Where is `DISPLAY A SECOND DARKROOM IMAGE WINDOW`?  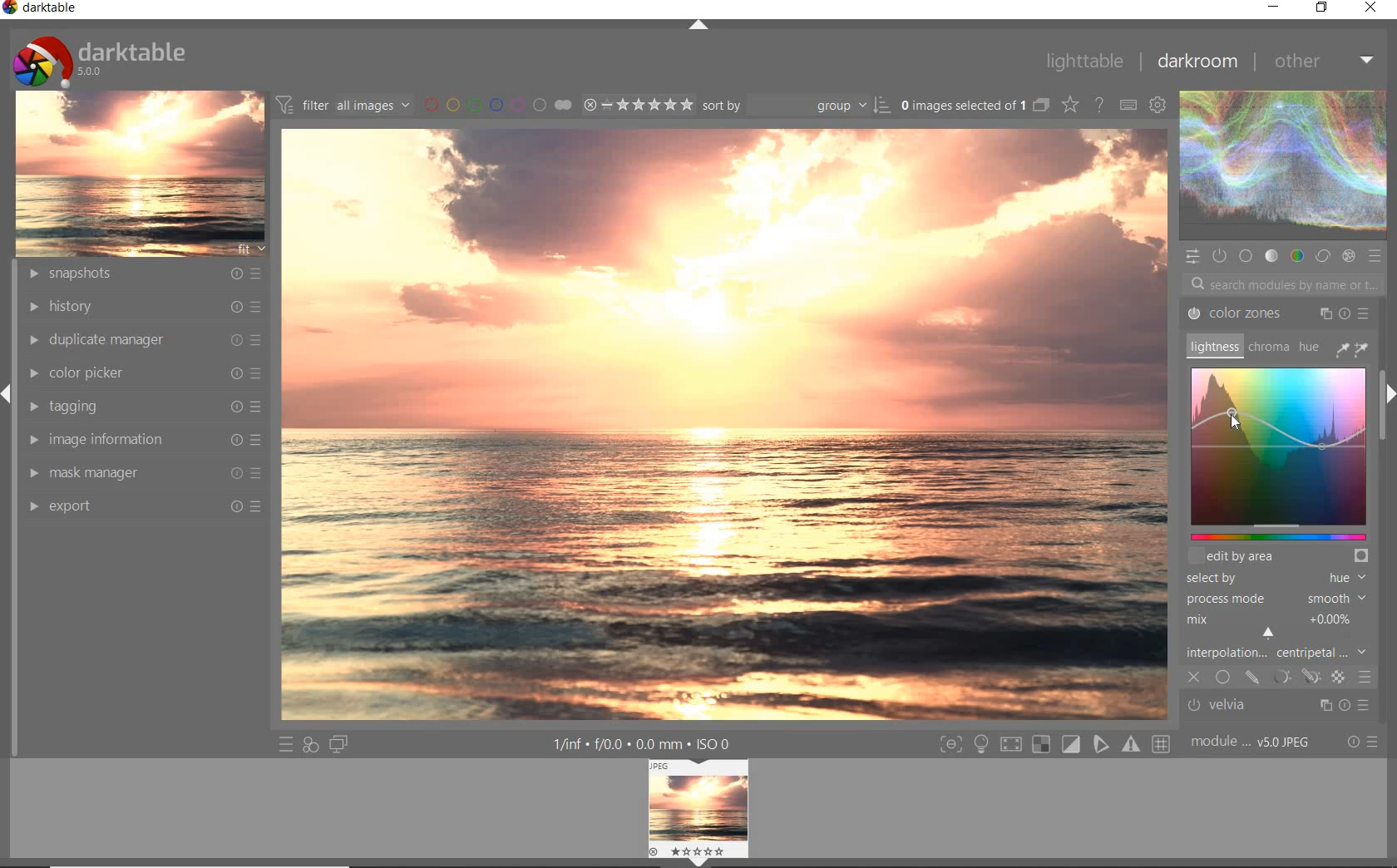
DISPLAY A SECOND DARKROOM IMAGE WINDOW is located at coordinates (338, 746).